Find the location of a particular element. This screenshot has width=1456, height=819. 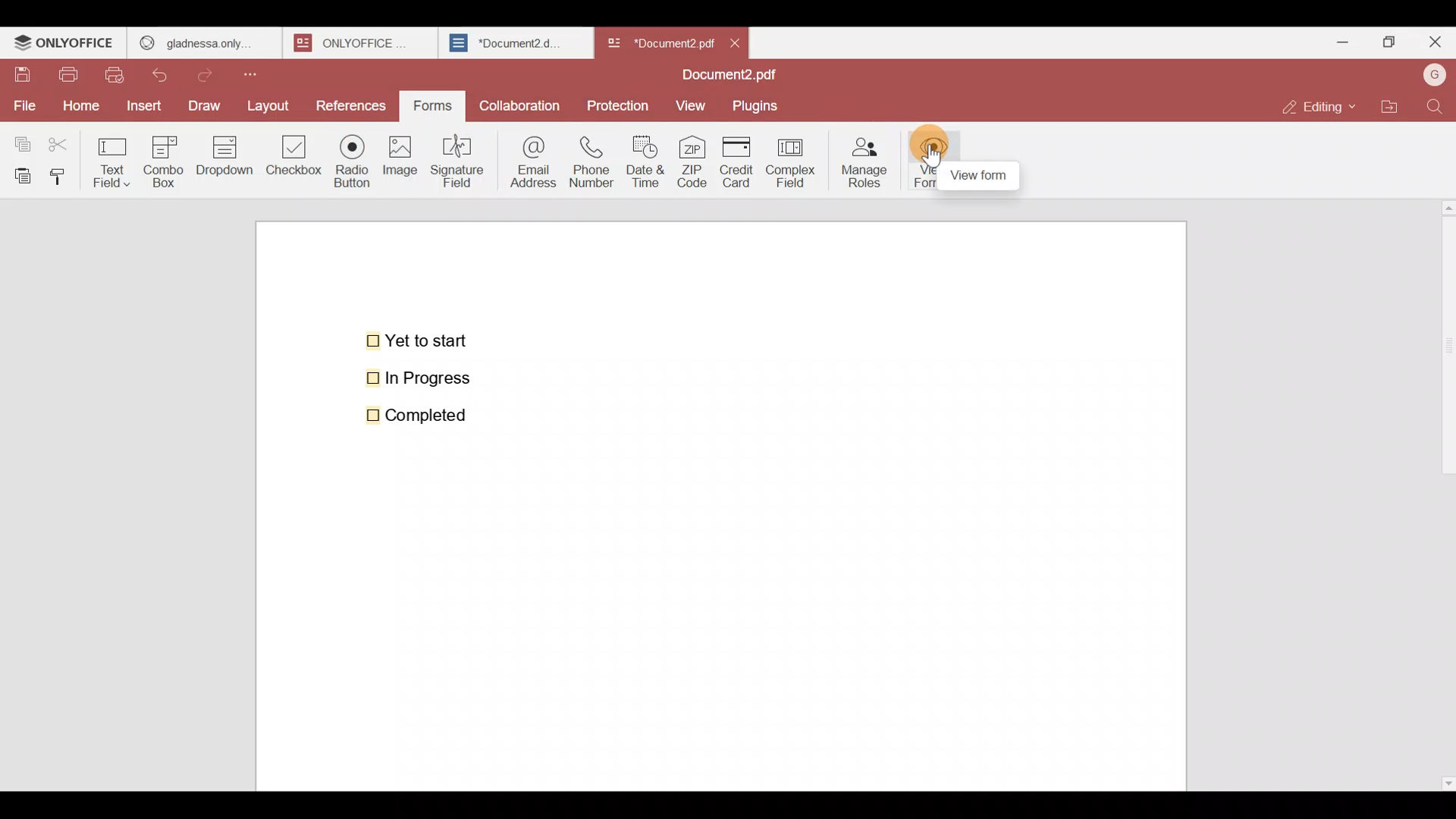

Cut is located at coordinates (65, 141).